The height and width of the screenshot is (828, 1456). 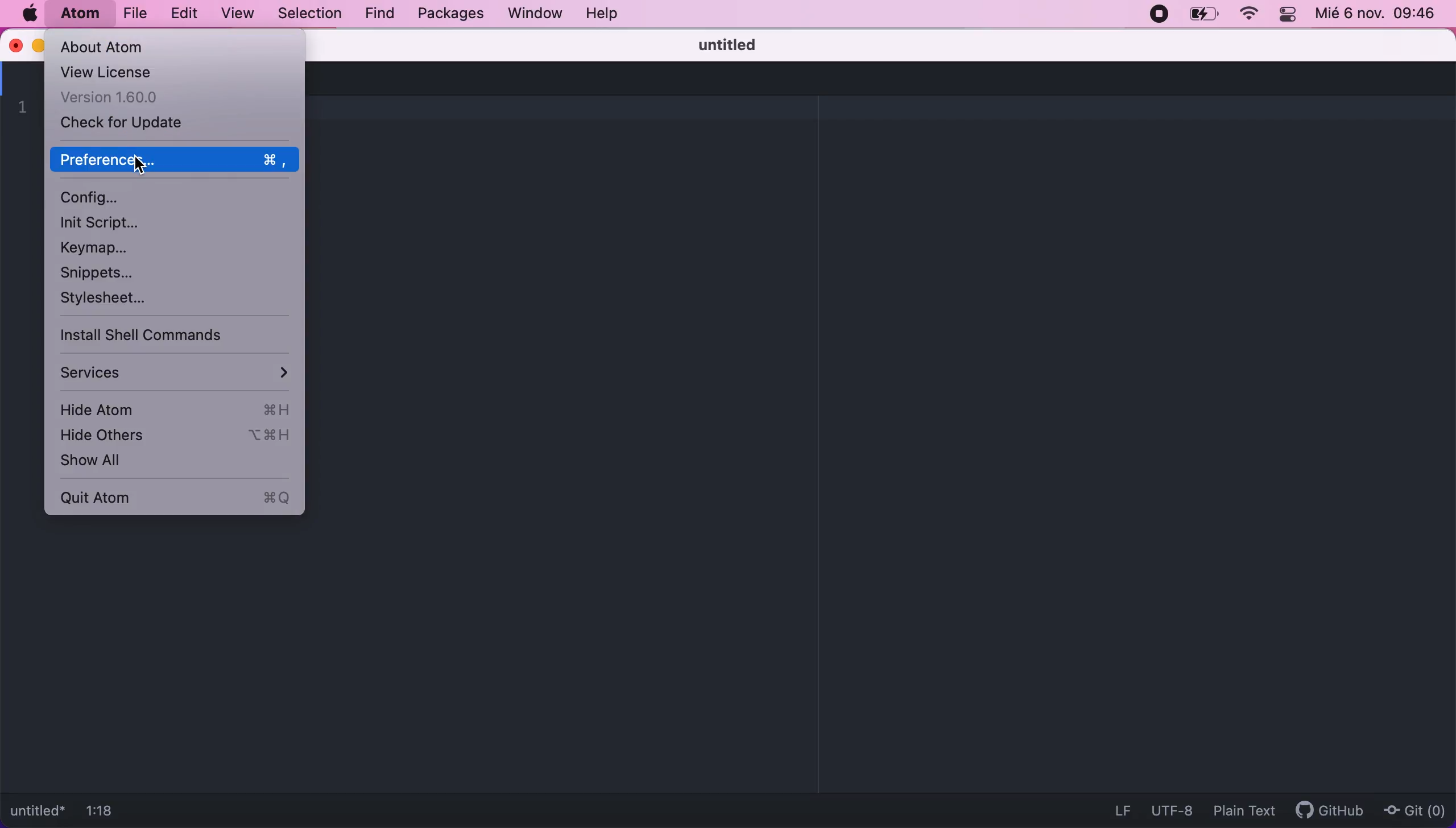 I want to click on view, so click(x=239, y=15).